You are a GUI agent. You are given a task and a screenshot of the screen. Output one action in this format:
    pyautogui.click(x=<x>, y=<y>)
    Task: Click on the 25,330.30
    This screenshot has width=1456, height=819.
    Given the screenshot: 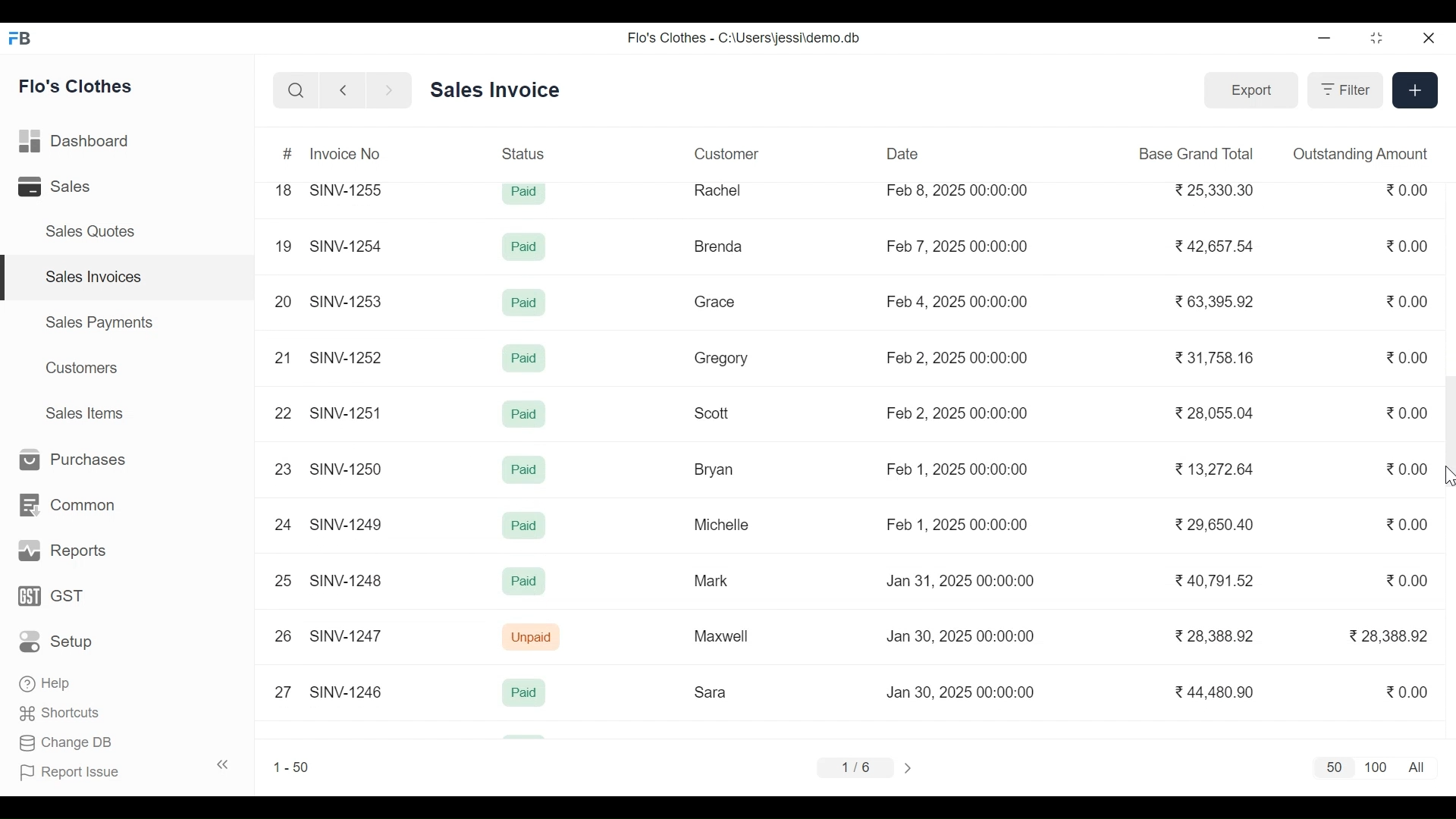 What is the action you would take?
    pyautogui.click(x=1217, y=190)
    